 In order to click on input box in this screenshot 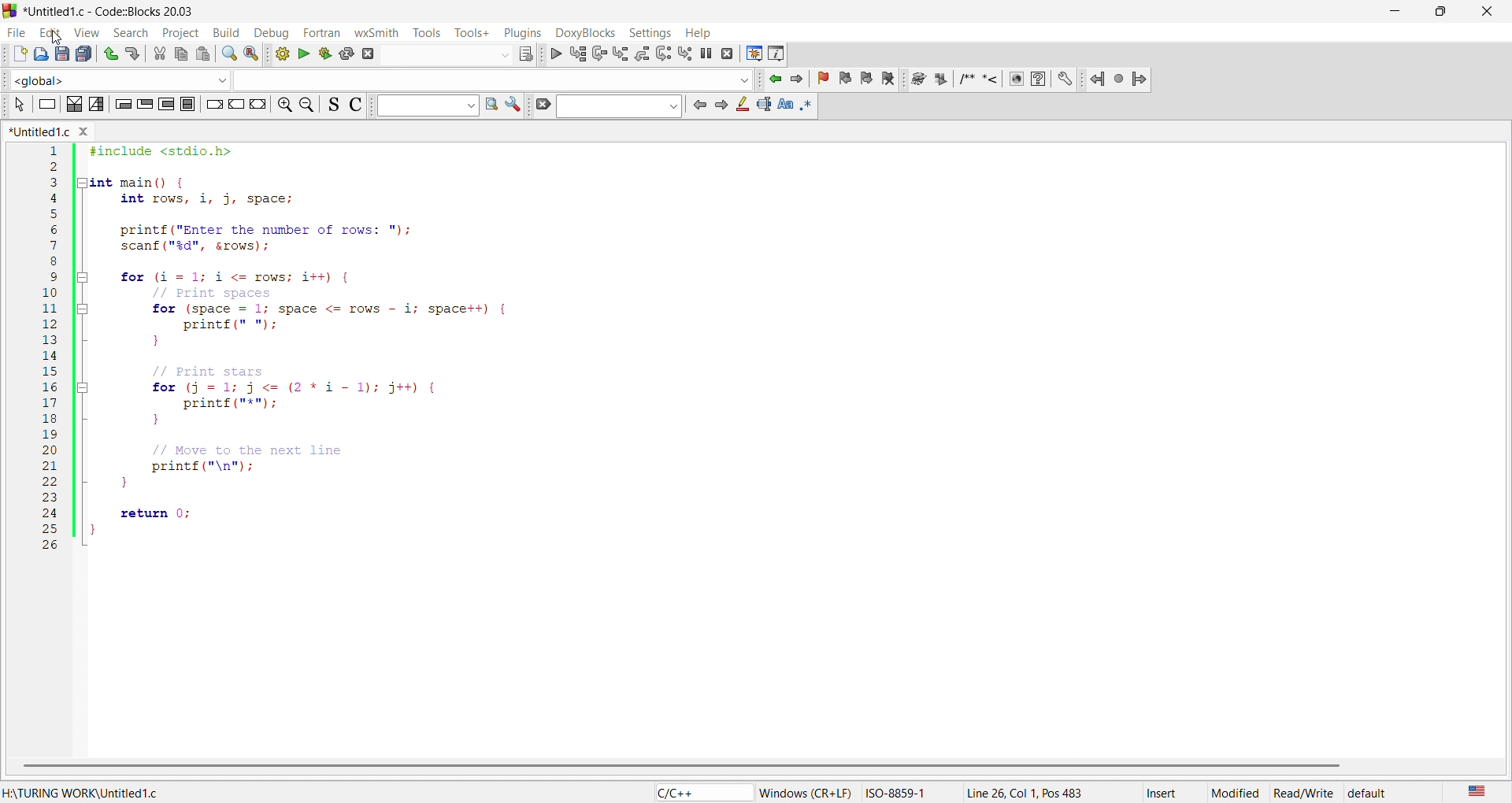, I will do `click(448, 54)`.